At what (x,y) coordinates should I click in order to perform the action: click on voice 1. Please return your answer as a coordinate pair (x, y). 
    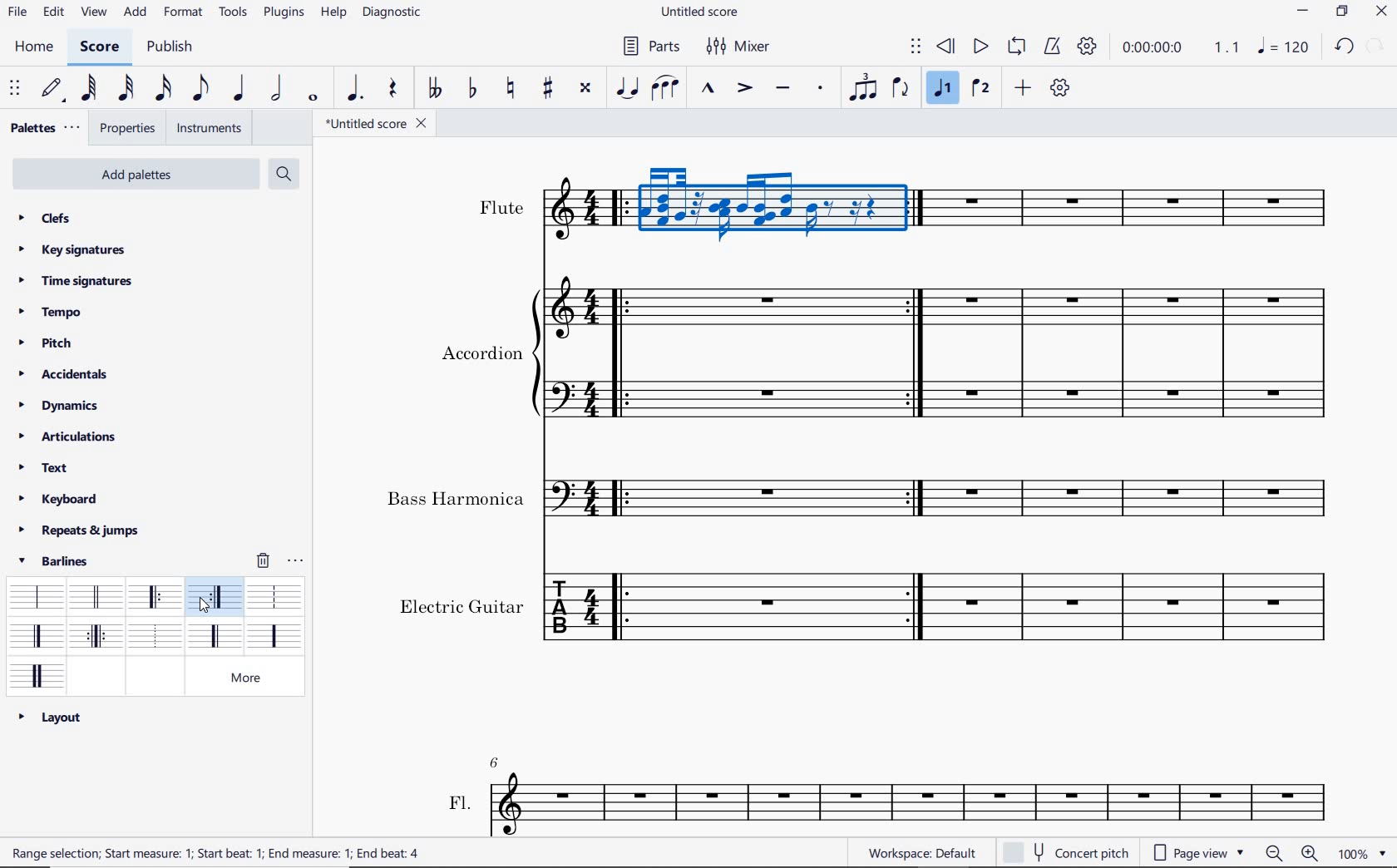
    Looking at the image, I should click on (944, 91).